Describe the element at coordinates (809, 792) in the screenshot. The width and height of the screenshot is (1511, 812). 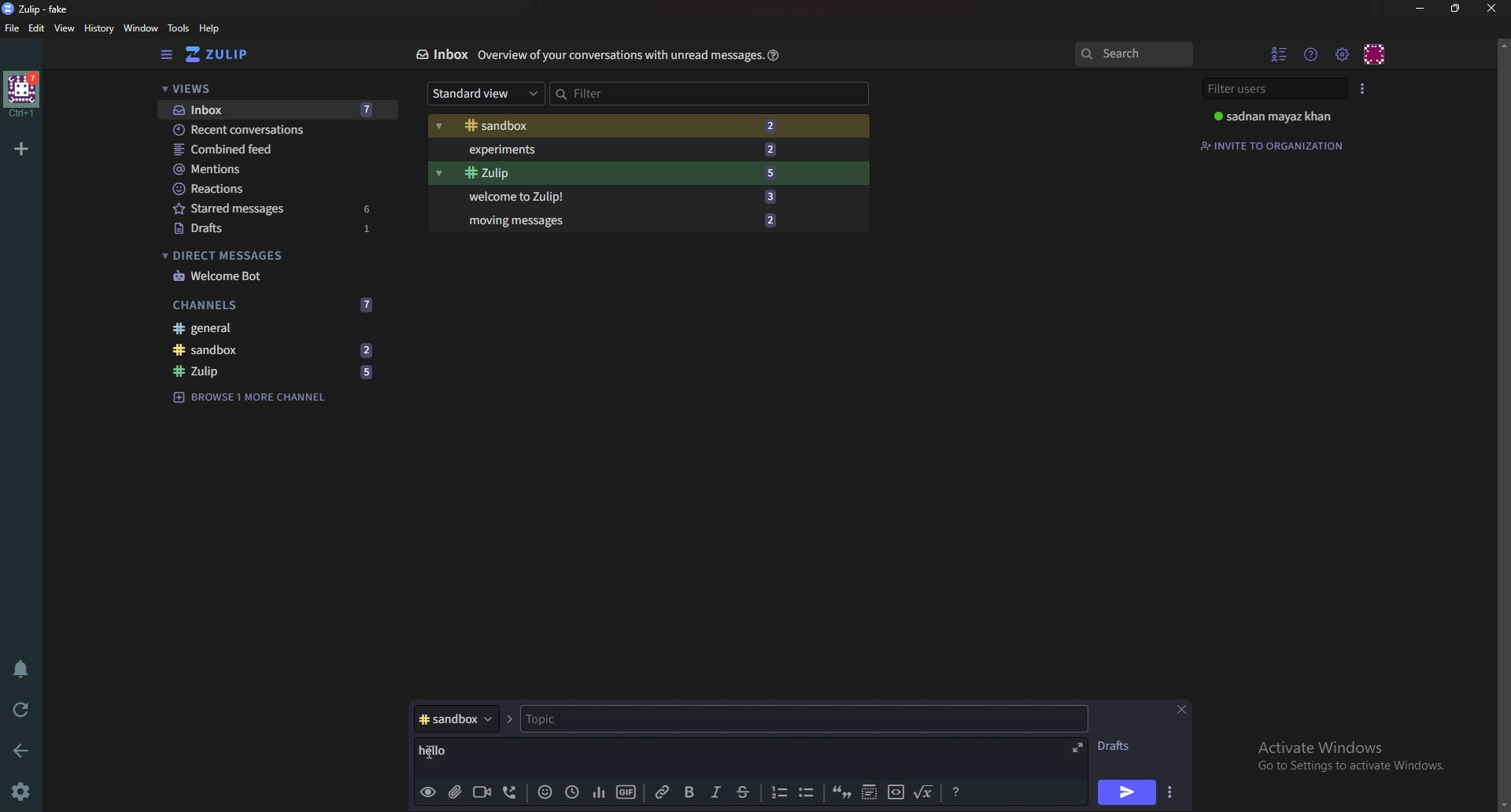
I see `Bullet list` at that location.